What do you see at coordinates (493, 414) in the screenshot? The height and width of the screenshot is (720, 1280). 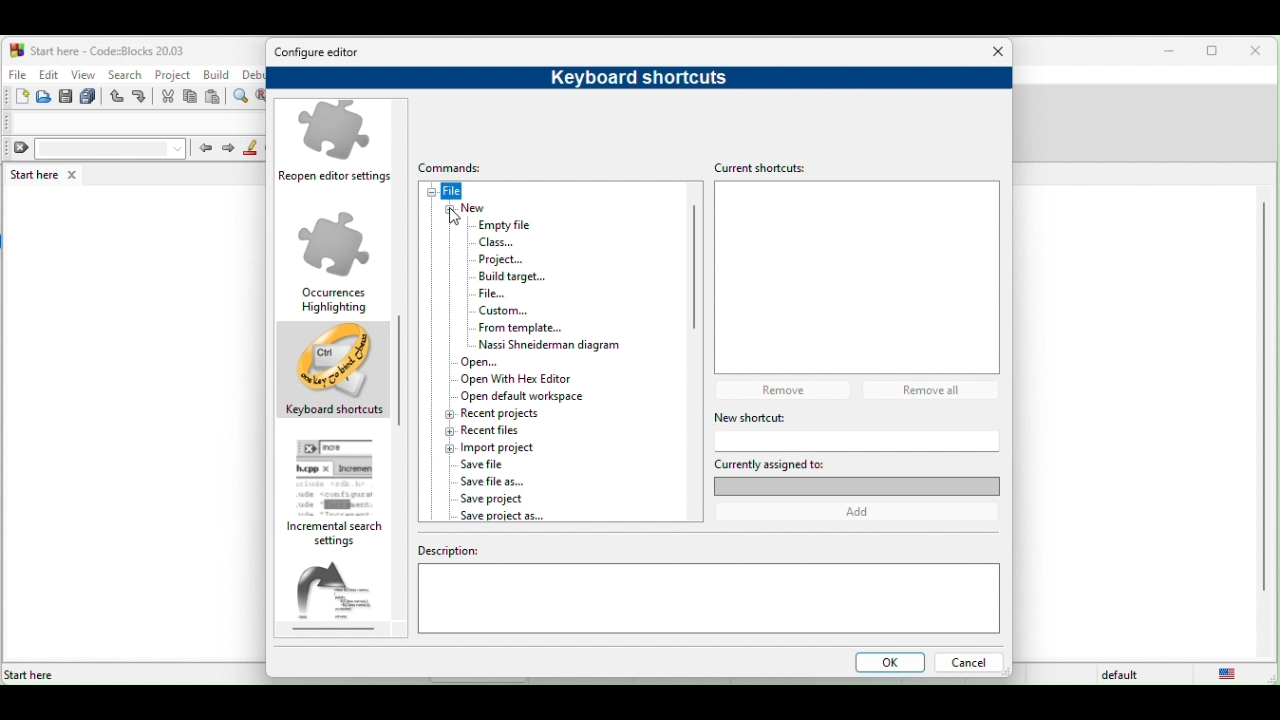 I see `recent project` at bounding box center [493, 414].